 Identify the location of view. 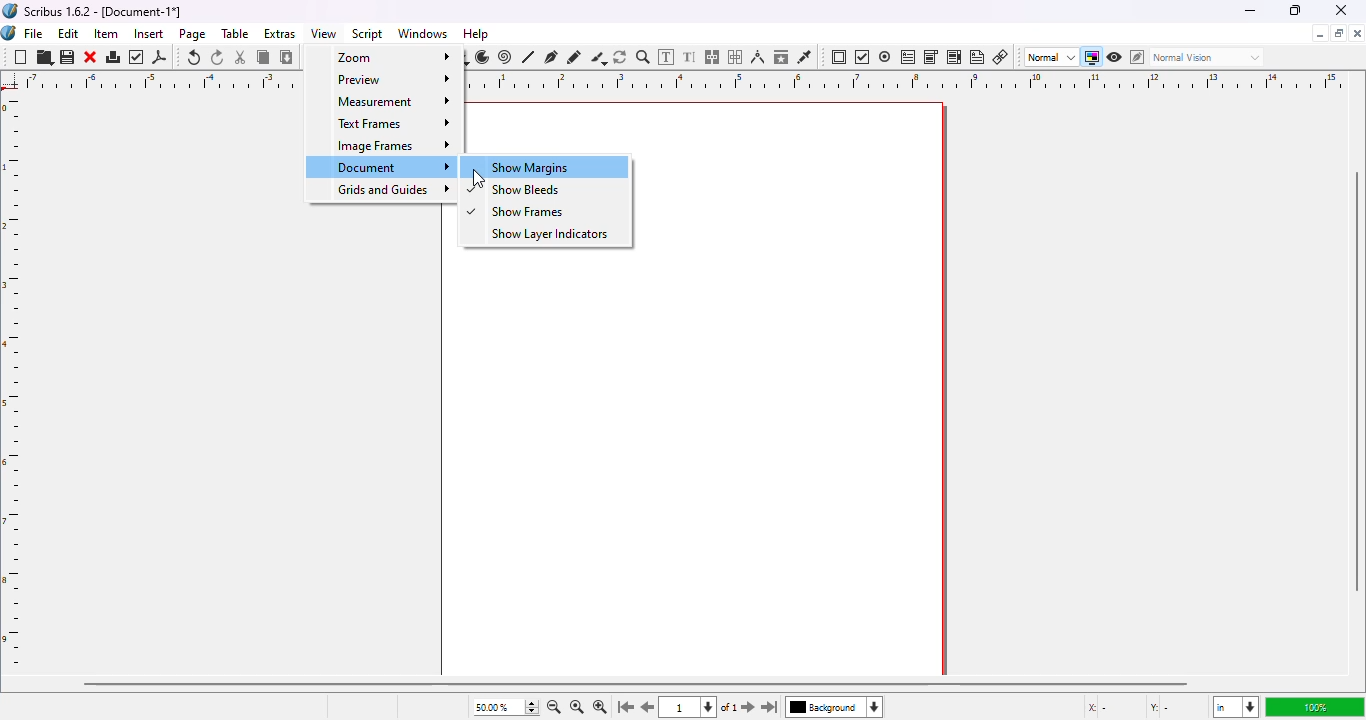
(324, 33).